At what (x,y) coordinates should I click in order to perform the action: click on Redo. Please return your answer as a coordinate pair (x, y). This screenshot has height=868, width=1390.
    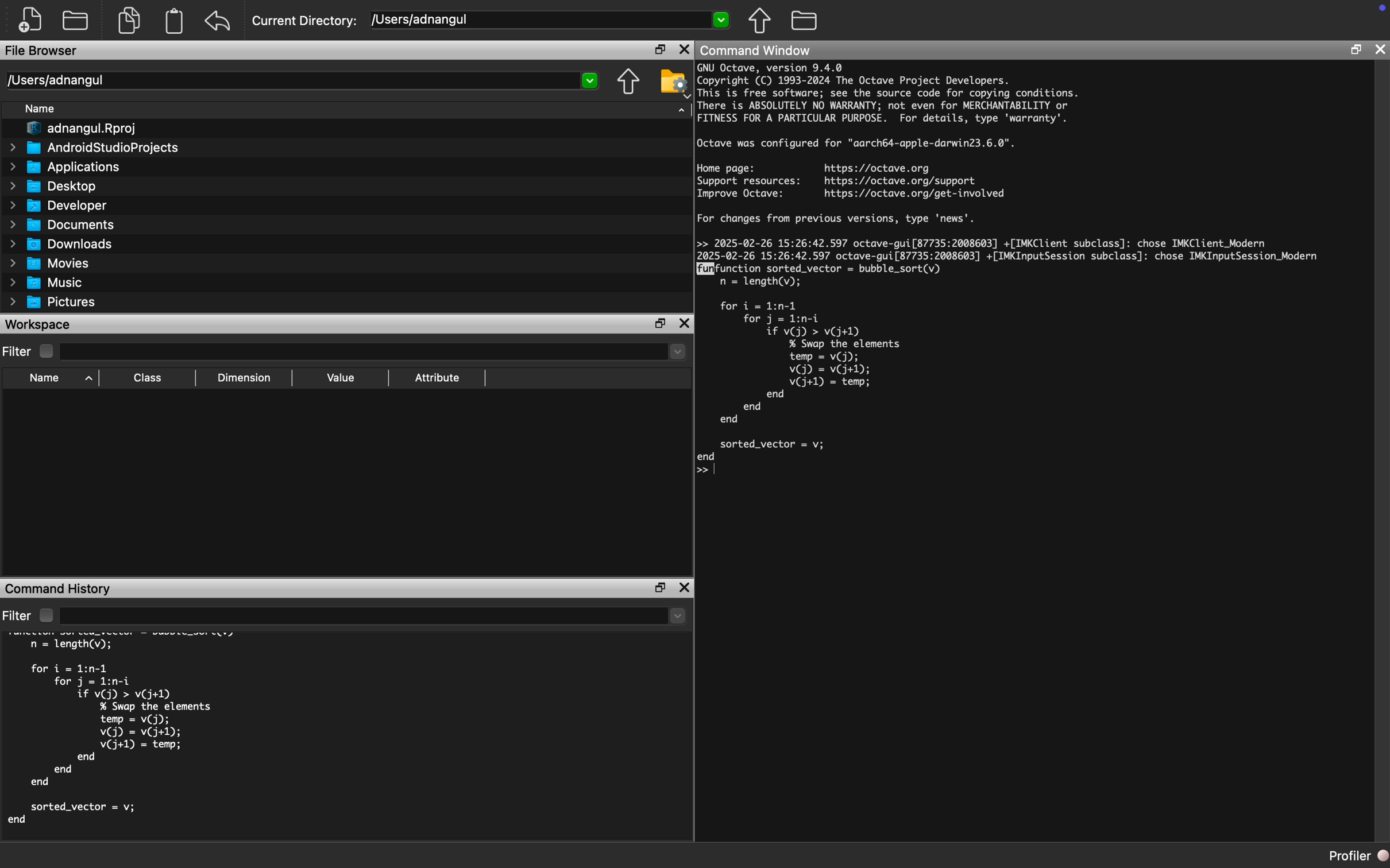
    Looking at the image, I should click on (219, 21).